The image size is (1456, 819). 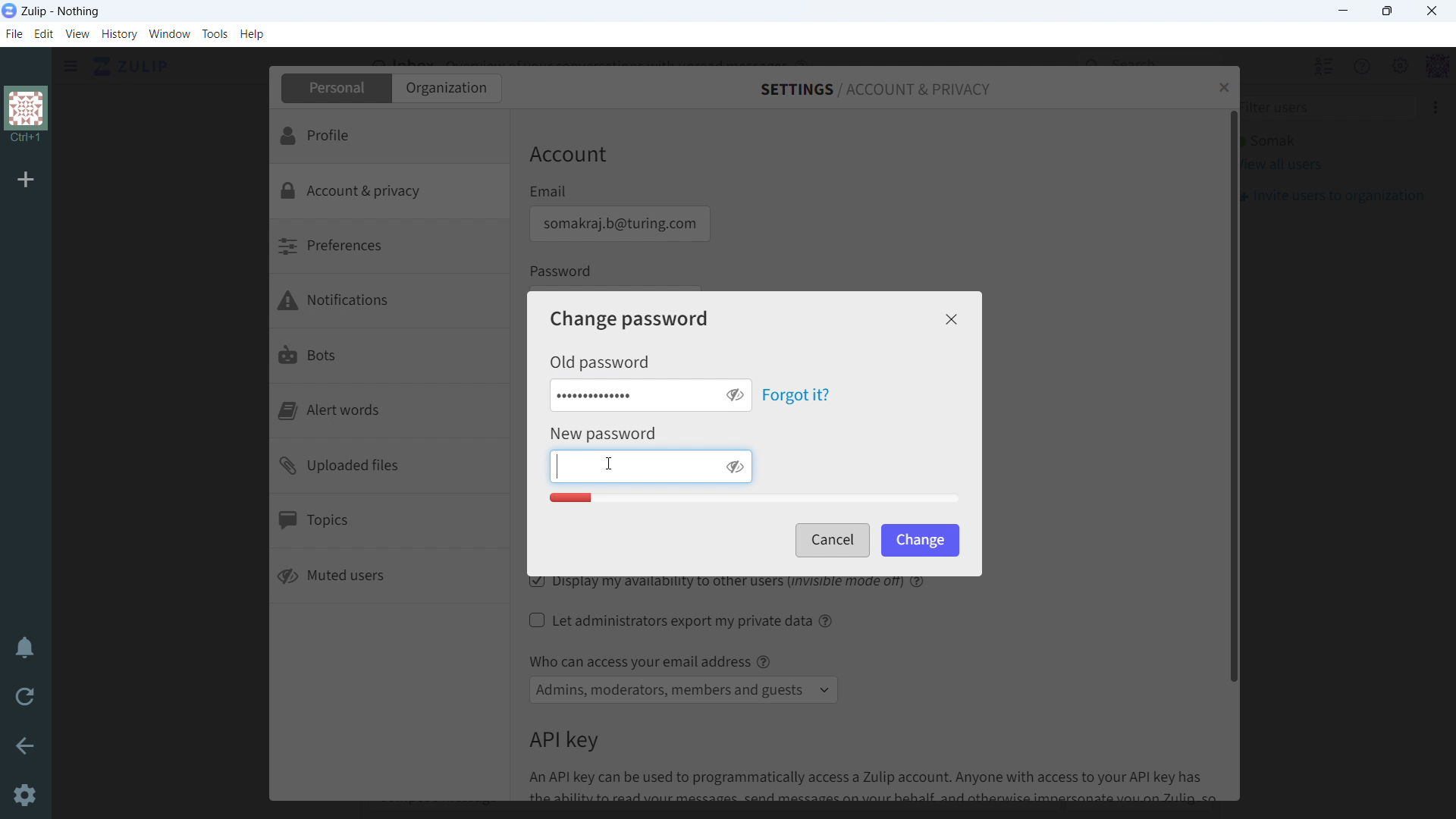 I want to click on scrollbar, so click(x=1235, y=394).